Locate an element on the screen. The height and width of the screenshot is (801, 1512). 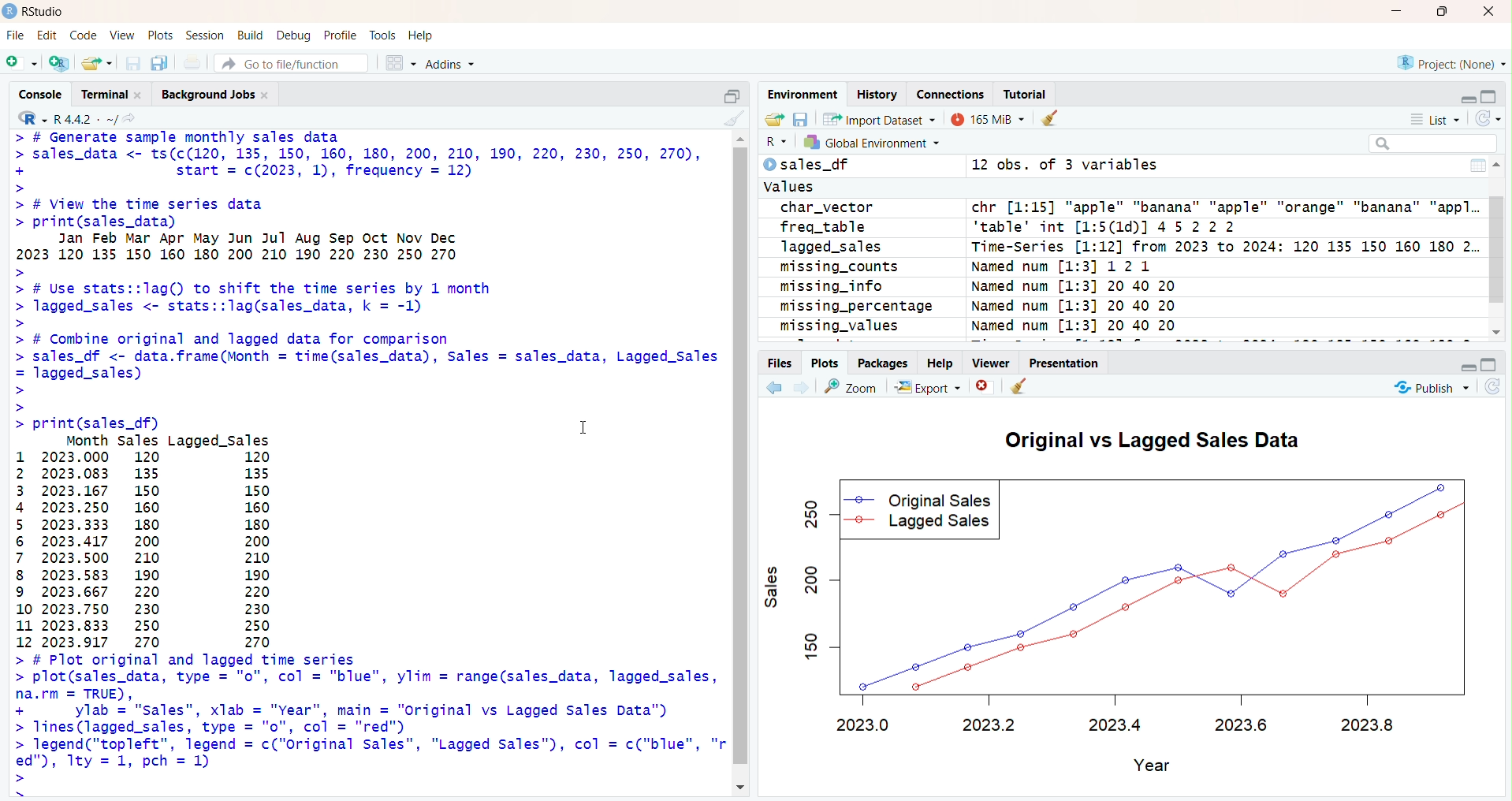
sales difference is located at coordinates (981, 165).